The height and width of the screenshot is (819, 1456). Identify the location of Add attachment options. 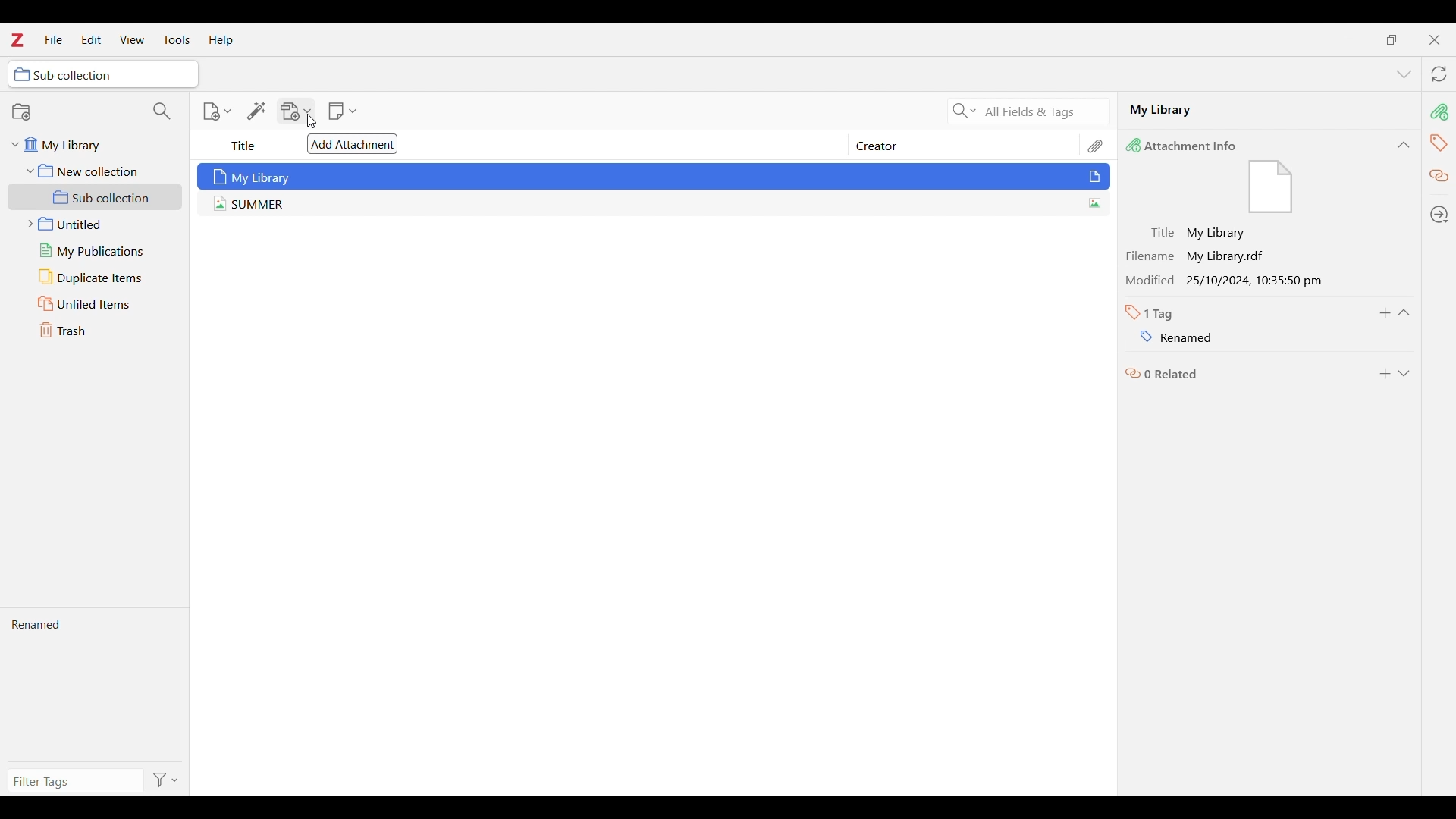
(297, 111).